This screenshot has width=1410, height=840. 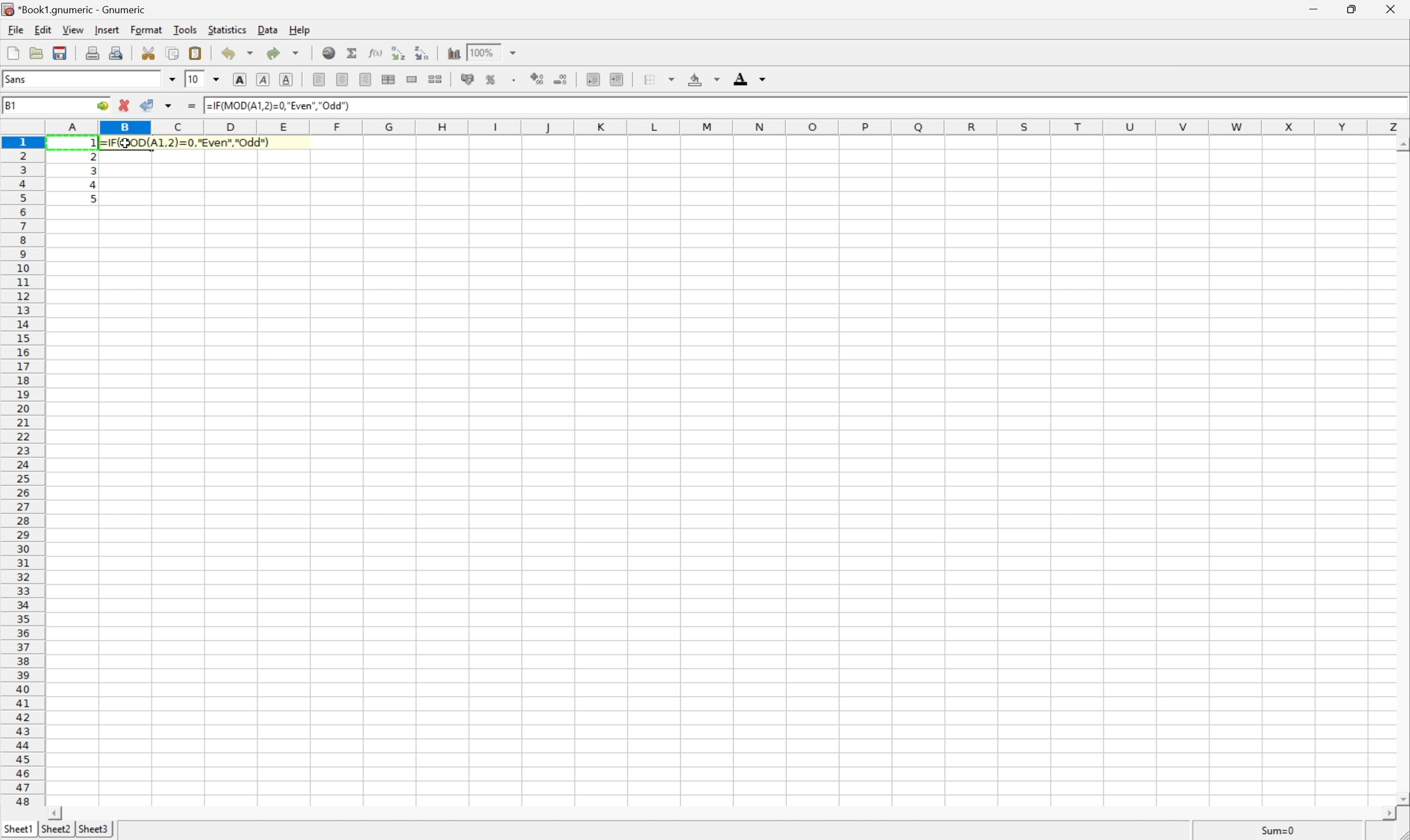 What do you see at coordinates (320, 80) in the screenshot?
I see `Align Left` at bounding box center [320, 80].